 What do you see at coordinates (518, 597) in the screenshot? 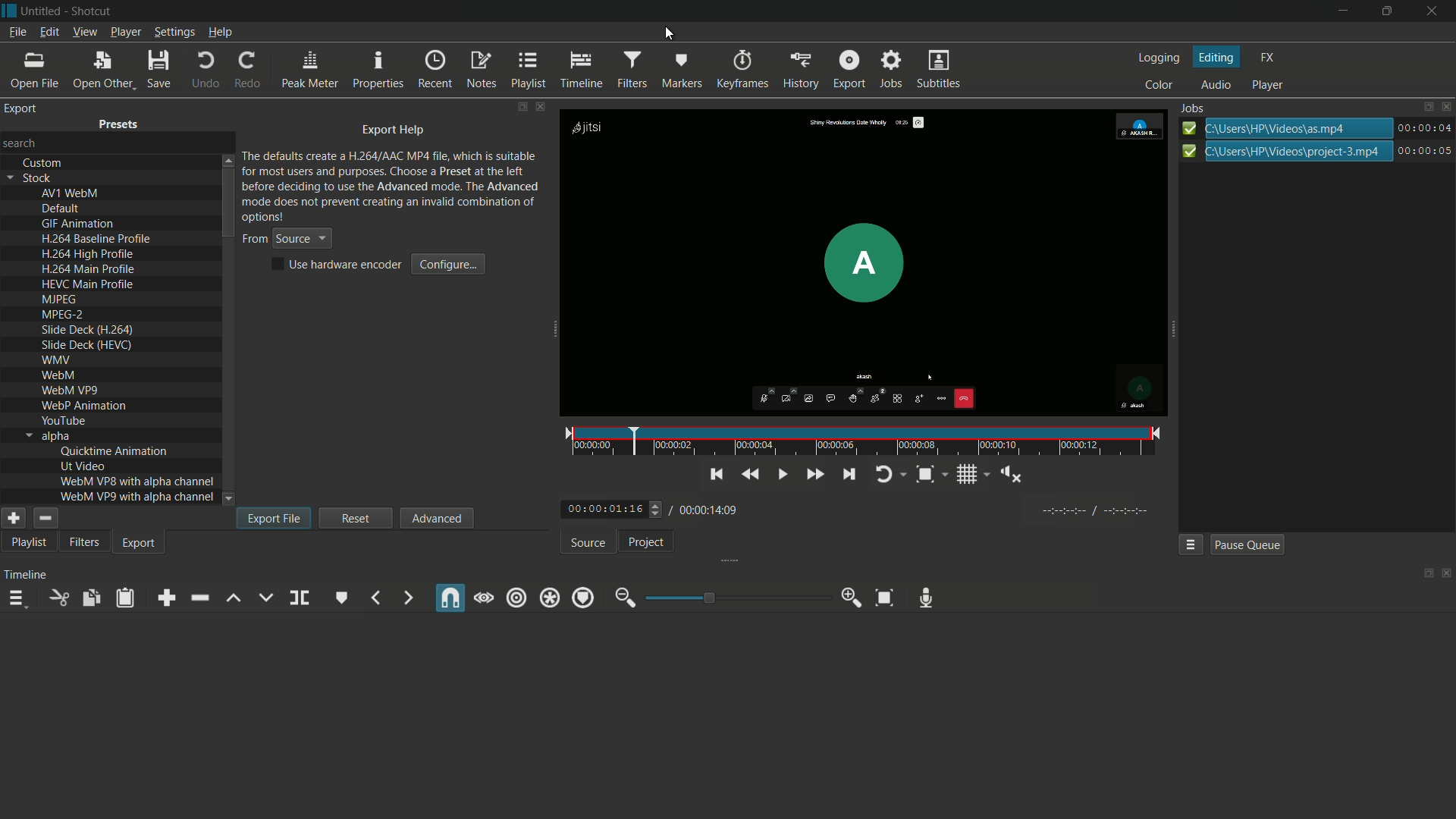
I see `ripple` at bounding box center [518, 597].